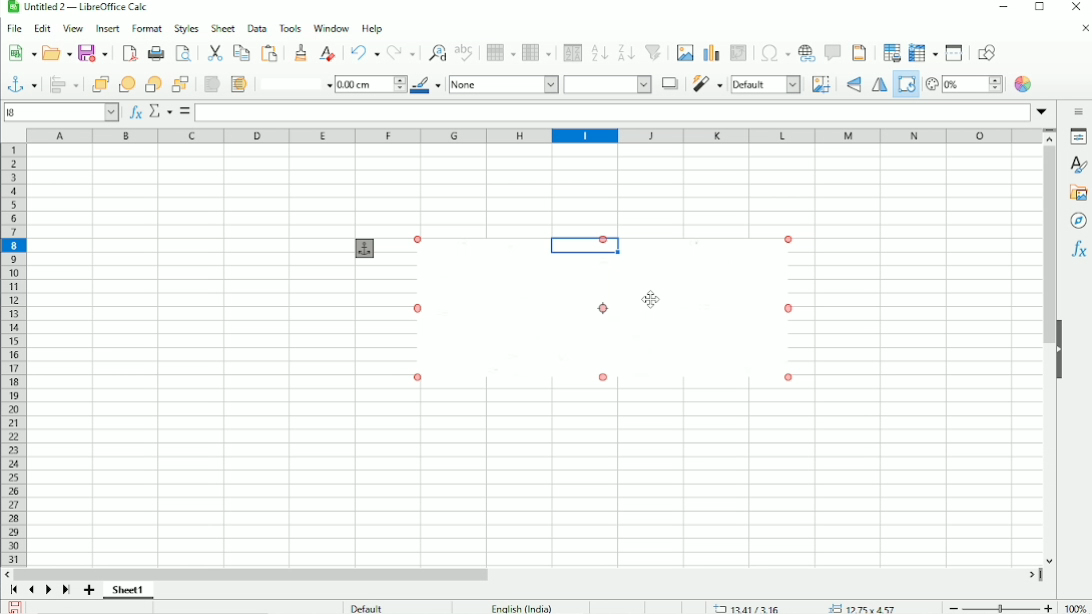 The image size is (1092, 614). What do you see at coordinates (905, 88) in the screenshot?
I see `Rotate` at bounding box center [905, 88].